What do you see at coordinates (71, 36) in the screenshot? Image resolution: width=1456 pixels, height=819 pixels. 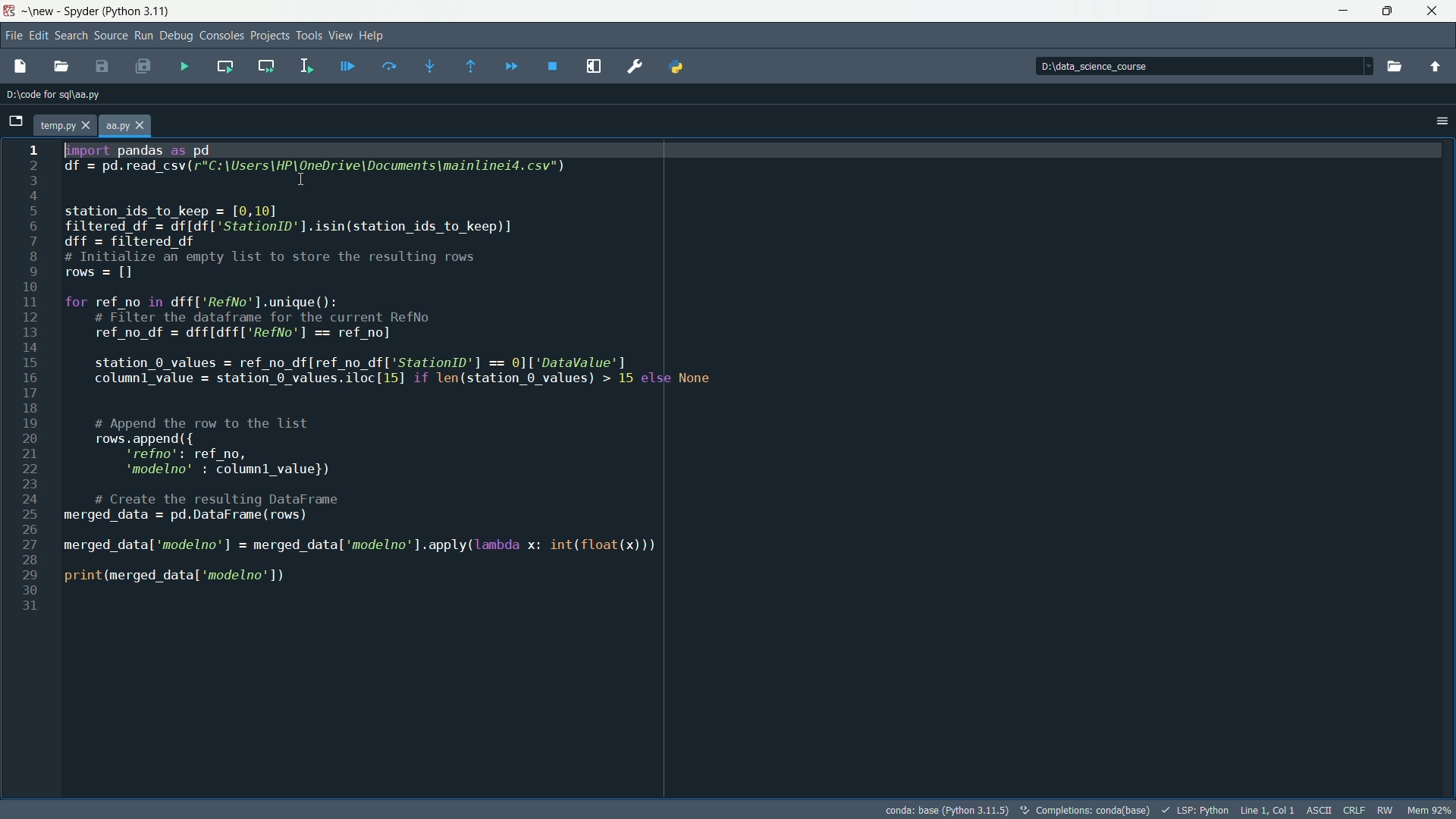 I see `search menu` at bounding box center [71, 36].